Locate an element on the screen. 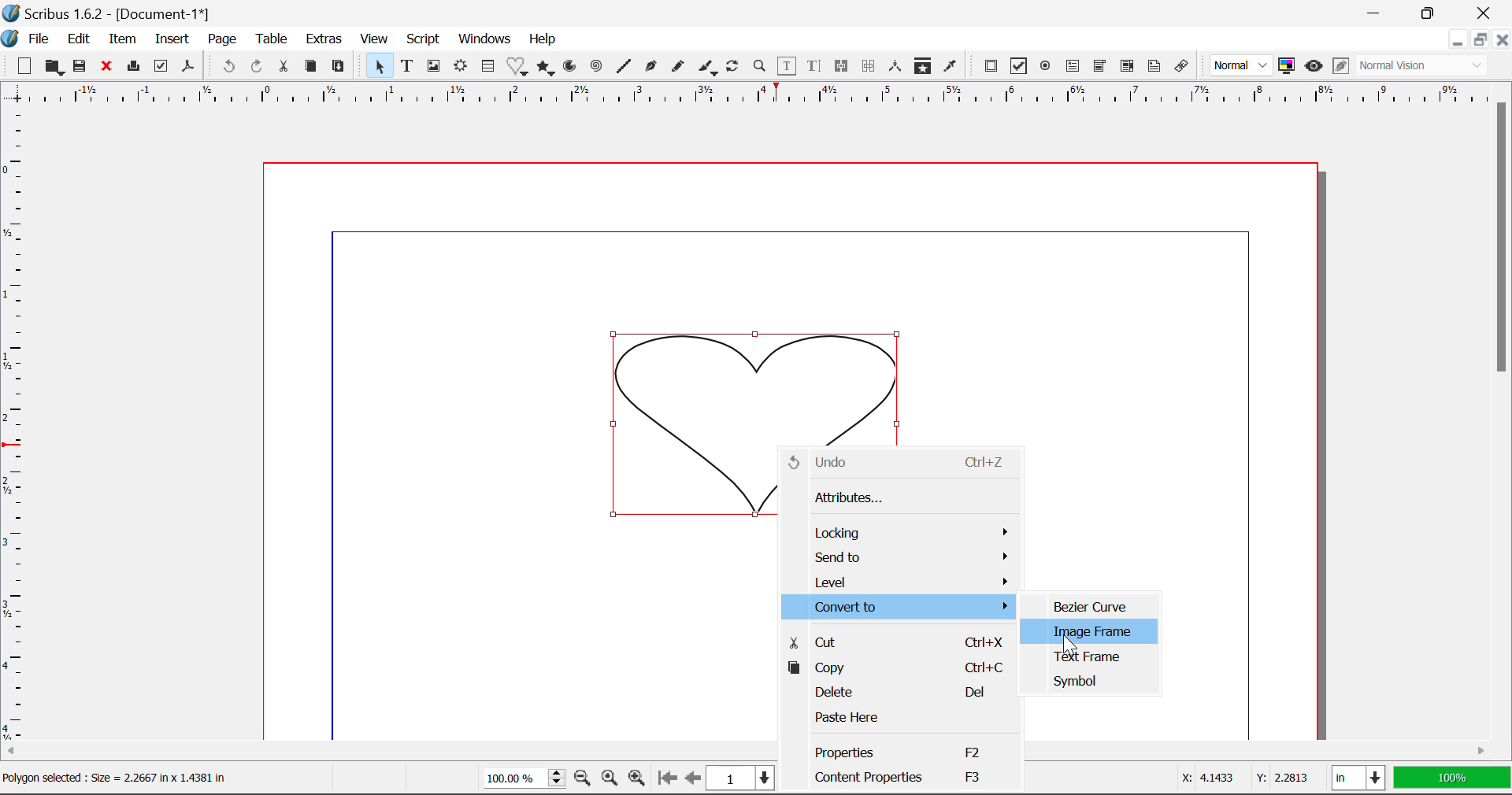 This screenshot has height=795, width=1512. Print is located at coordinates (136, 67).